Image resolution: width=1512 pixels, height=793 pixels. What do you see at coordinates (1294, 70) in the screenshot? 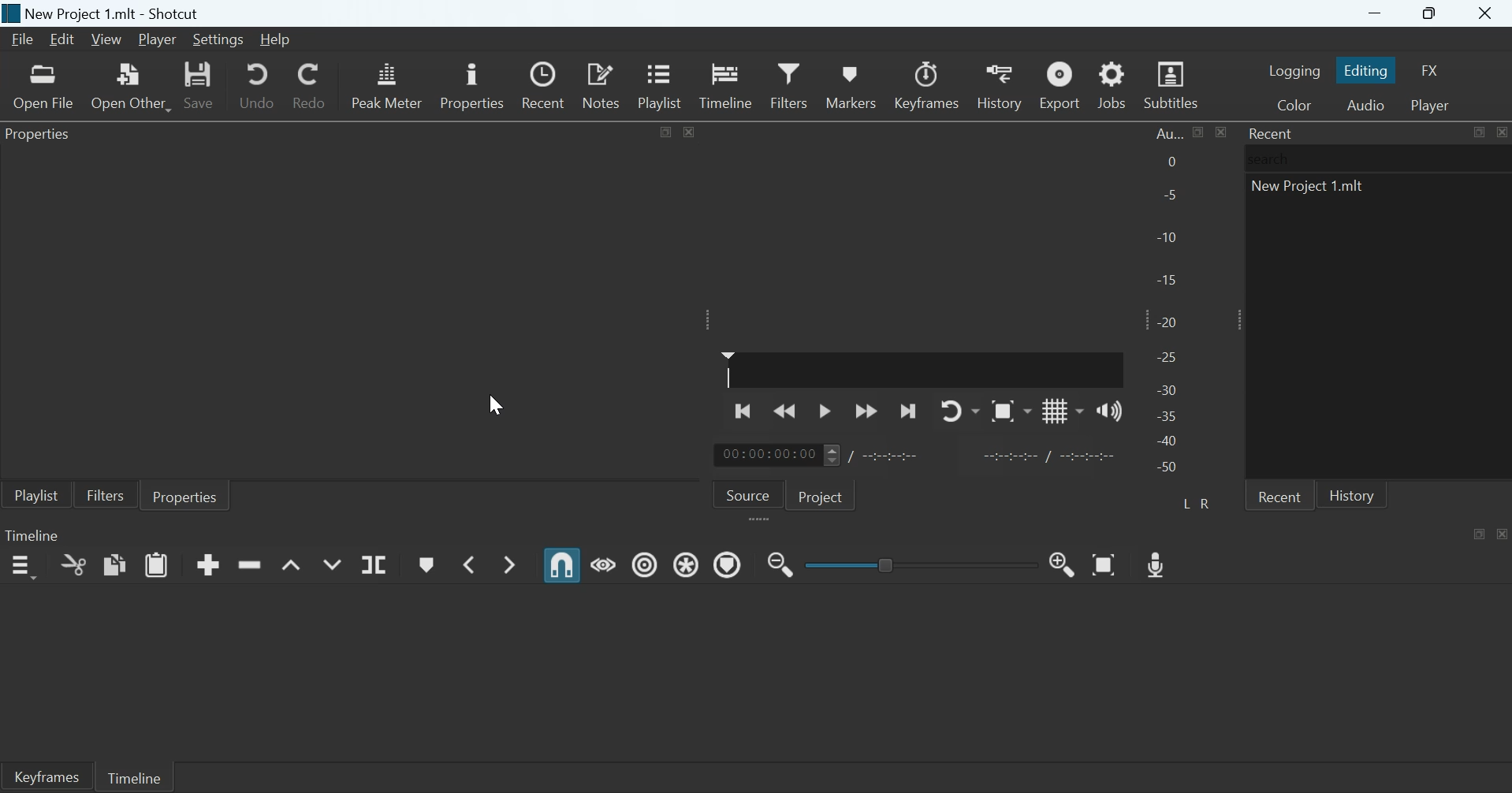
I see `Switch to the Logging layout` at bounding box center [1294, 70].